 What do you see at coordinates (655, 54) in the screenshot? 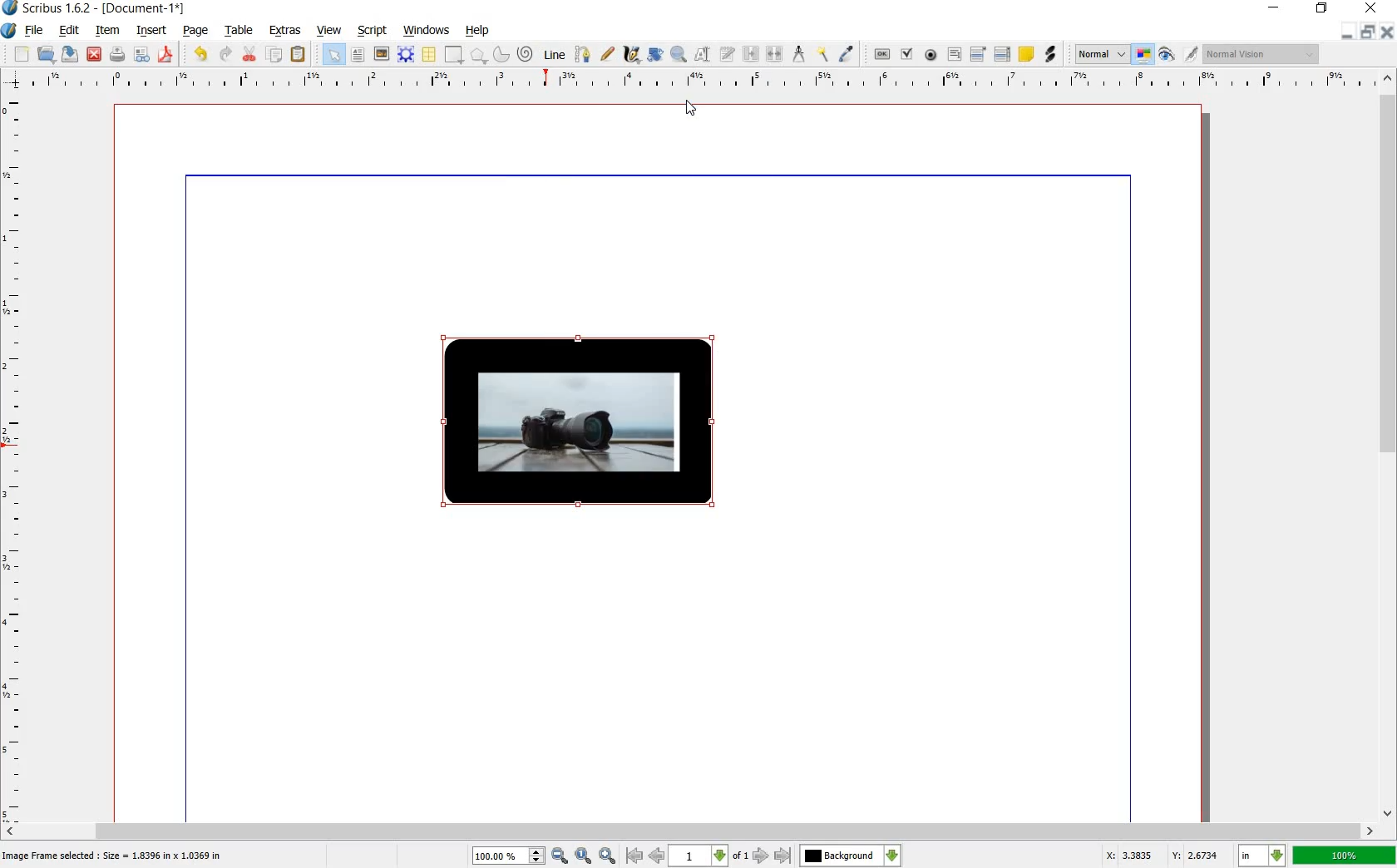
I see `rotate item` at bounding box center [655, 54].